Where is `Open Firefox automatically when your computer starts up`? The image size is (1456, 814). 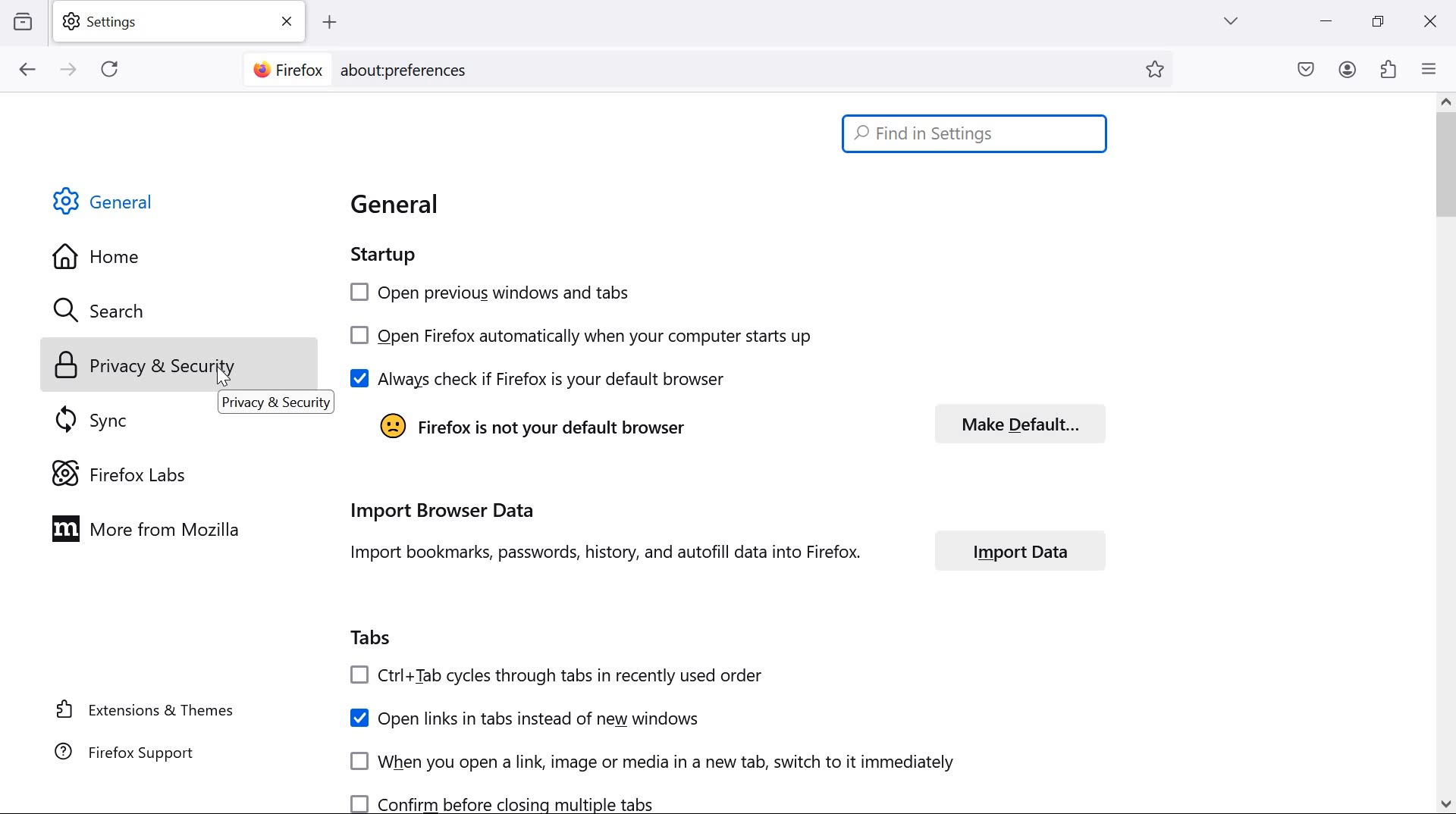
Open Firefox automatically when your computer starts up is located at coordinates (578, 336).